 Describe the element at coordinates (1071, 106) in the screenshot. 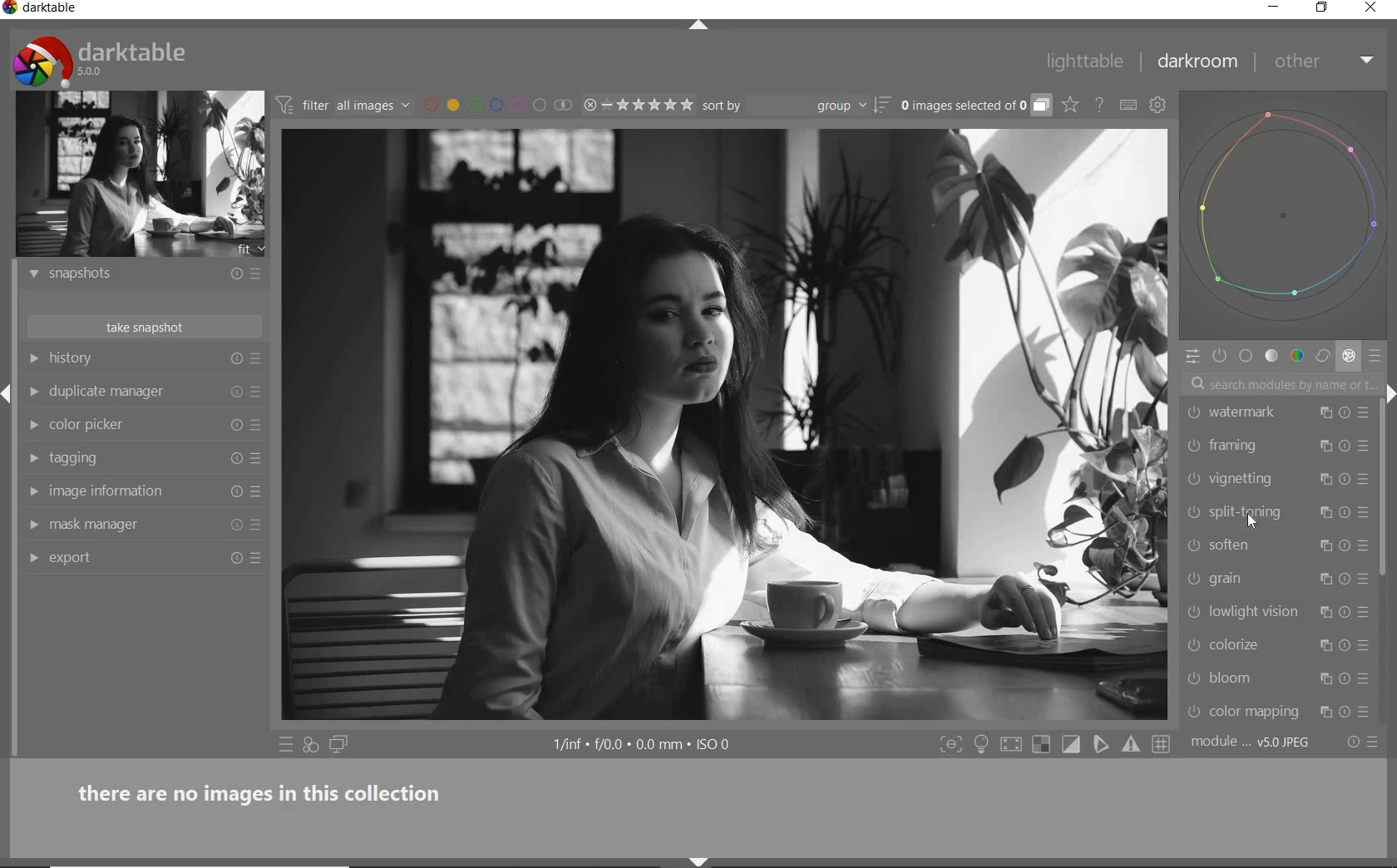

I see `click to change the type of overlay shown on thumbnails` at that location.